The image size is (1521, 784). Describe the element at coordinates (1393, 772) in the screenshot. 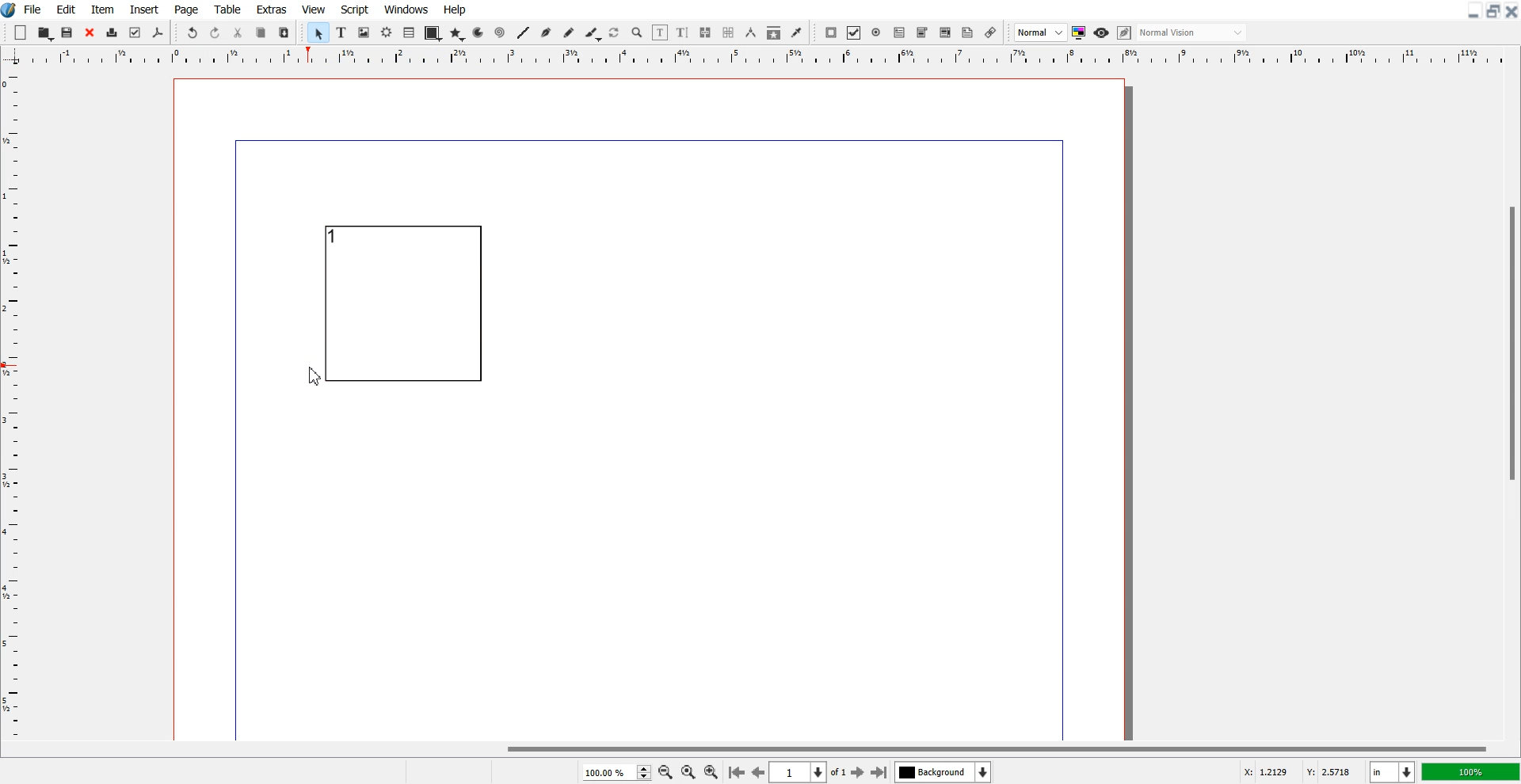

I see `Measurement in Inches` at that location.